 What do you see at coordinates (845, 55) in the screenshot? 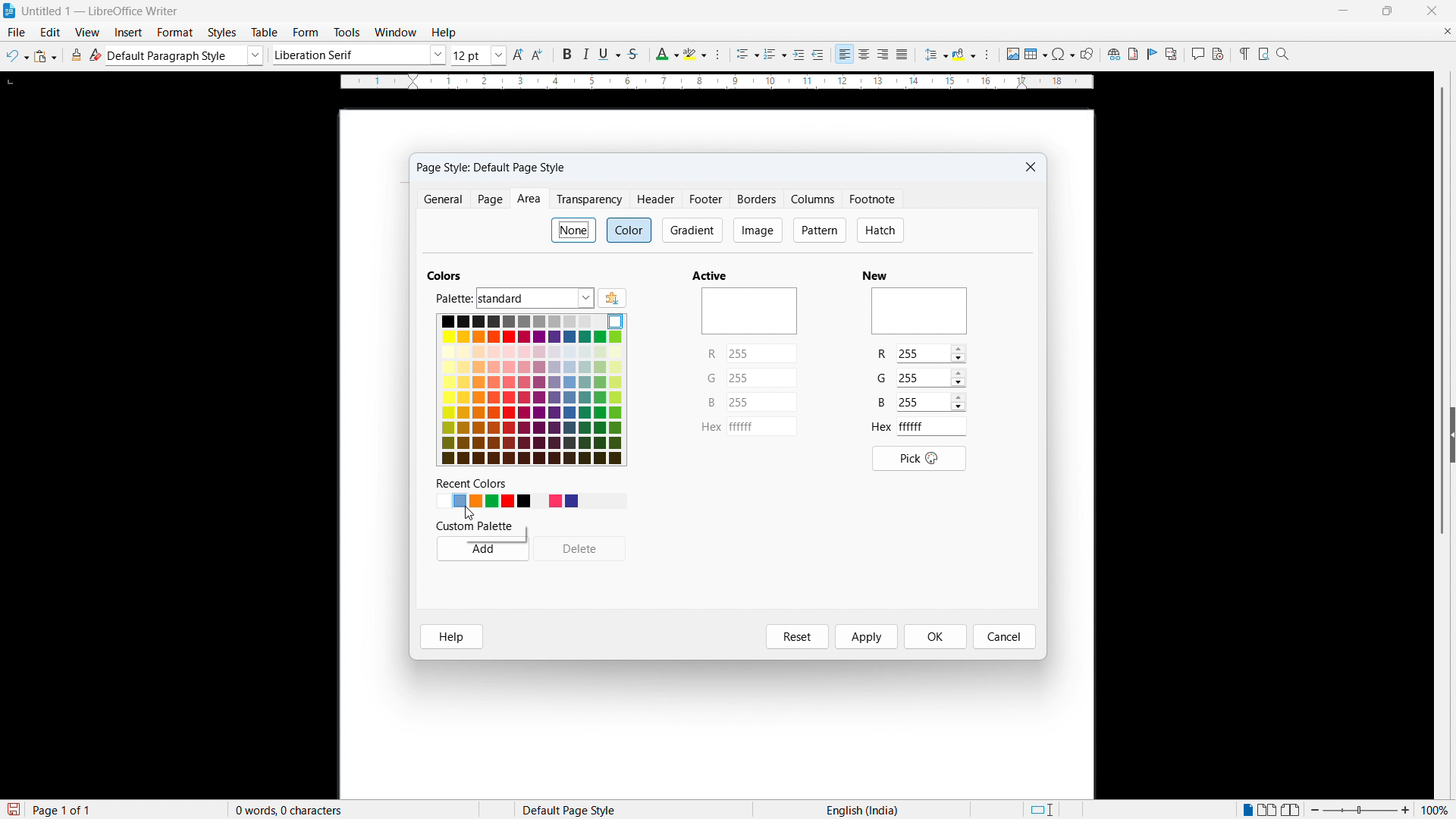
I see `Align left` at bounding box center [845, 55].